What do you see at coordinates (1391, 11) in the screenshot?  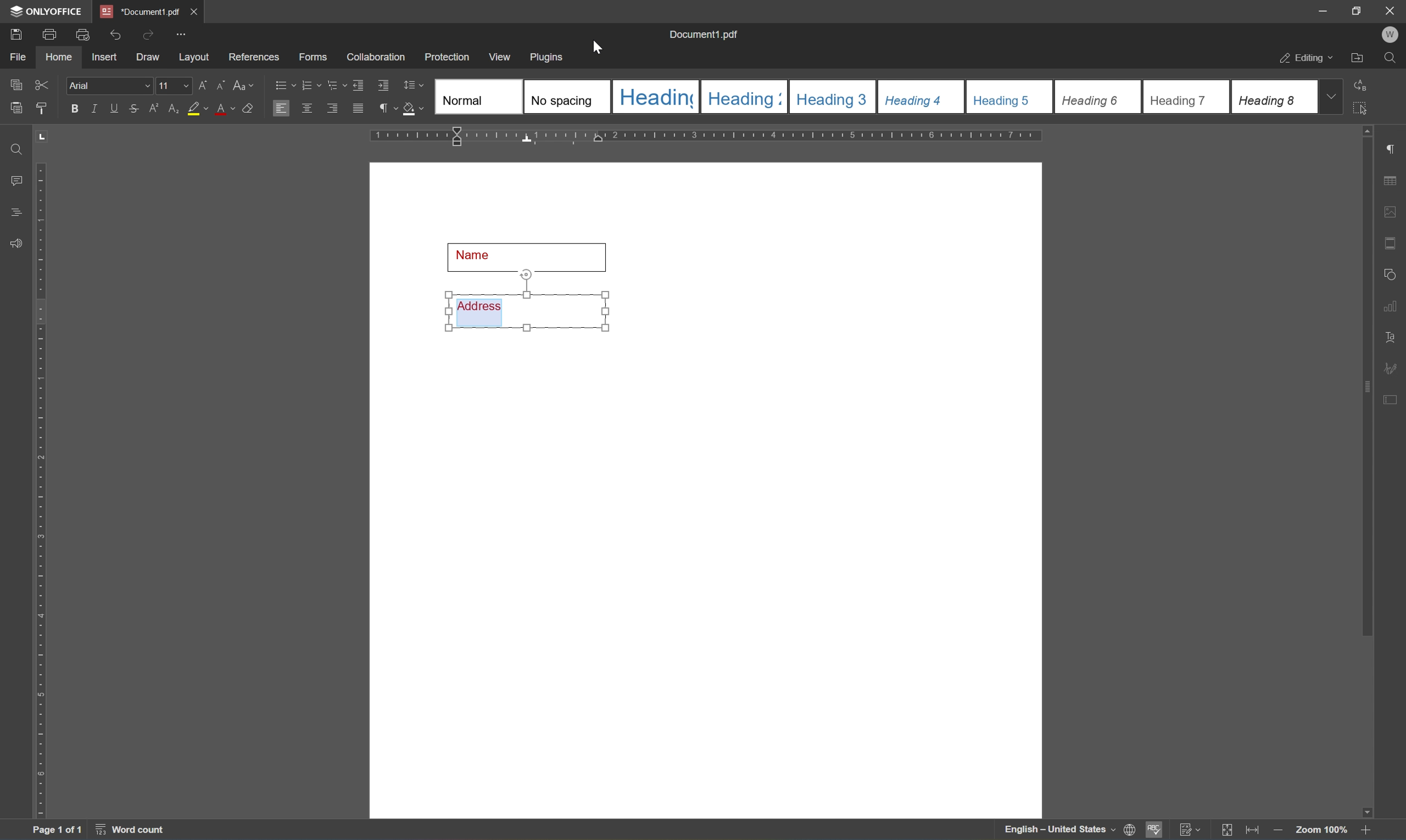 I see `close` at bounding box center [1391, 11].